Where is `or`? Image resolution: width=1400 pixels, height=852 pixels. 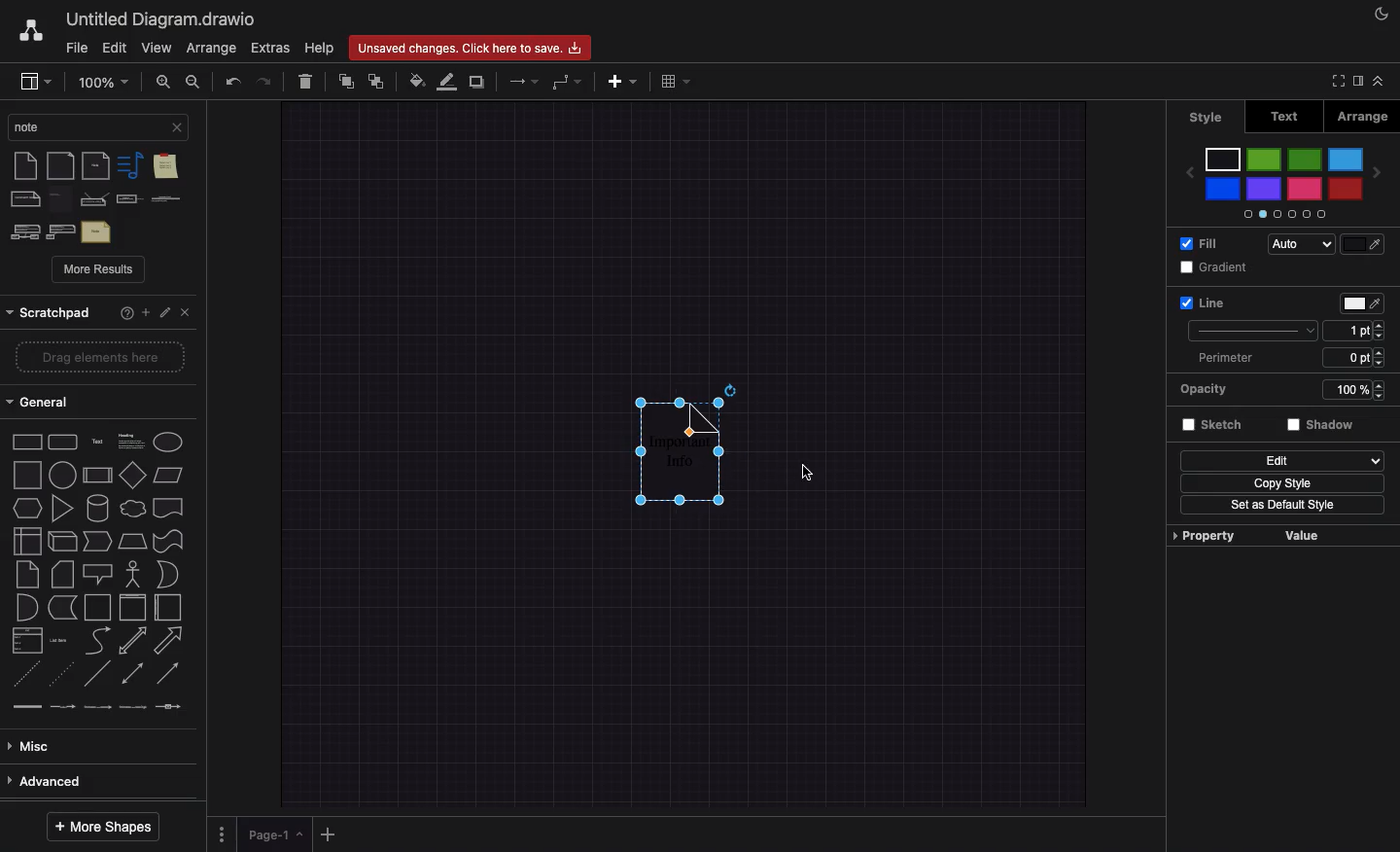 or is located at coordinates (24, 609).